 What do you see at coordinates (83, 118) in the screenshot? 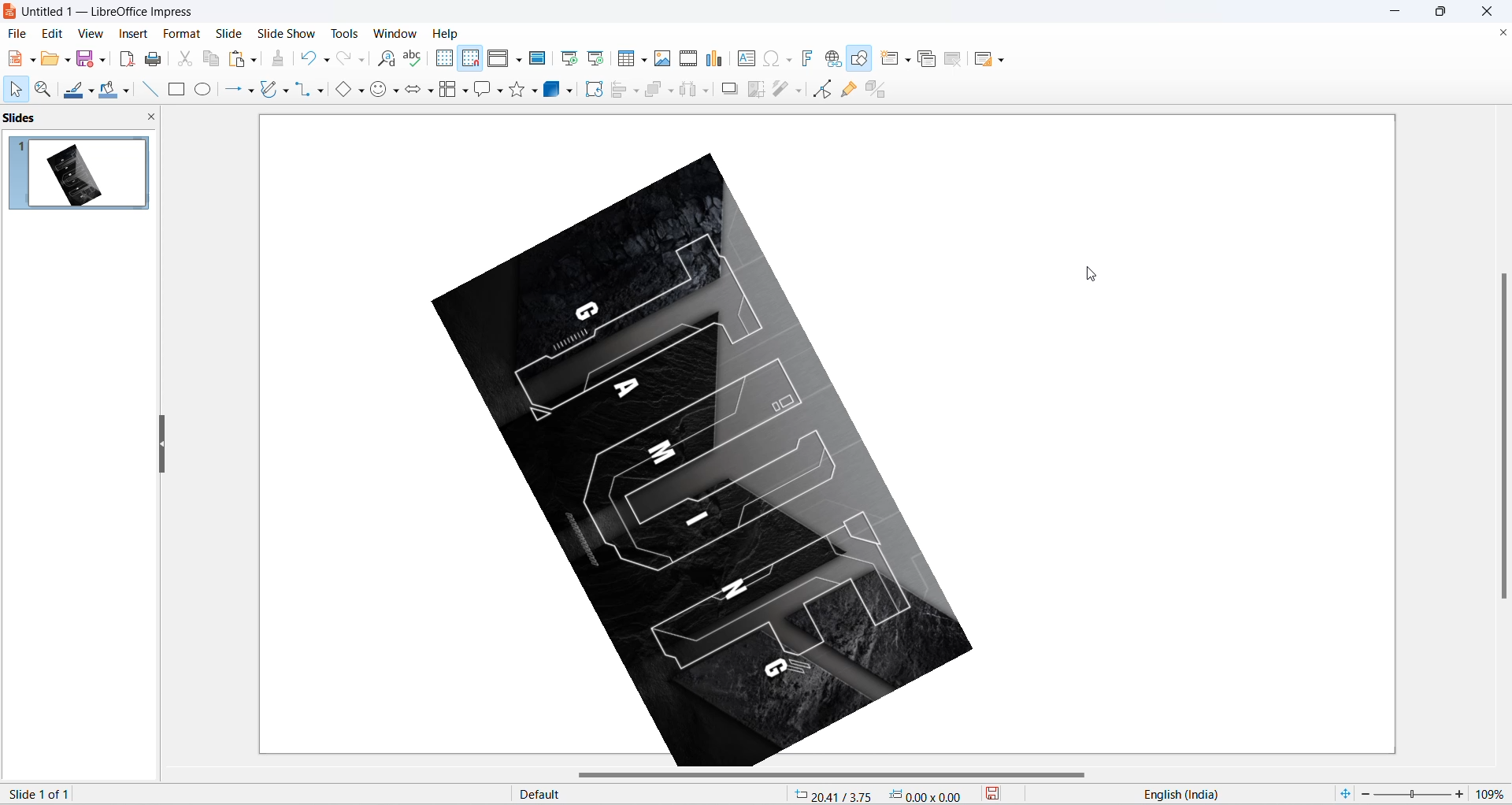
I see `slides and close slide` at bounding box center [83, 118].